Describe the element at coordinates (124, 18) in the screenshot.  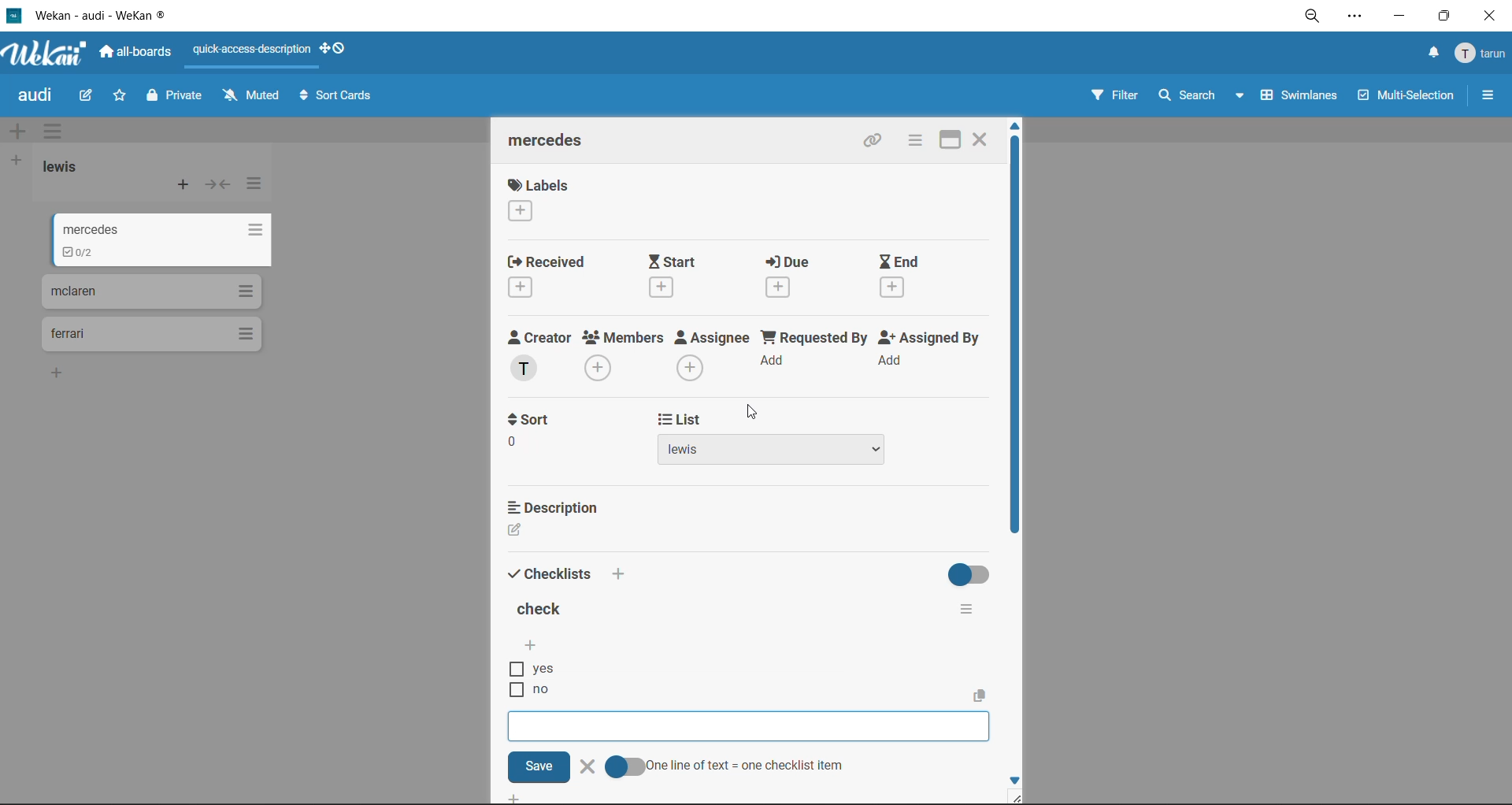
I see `app titlew` at that location.